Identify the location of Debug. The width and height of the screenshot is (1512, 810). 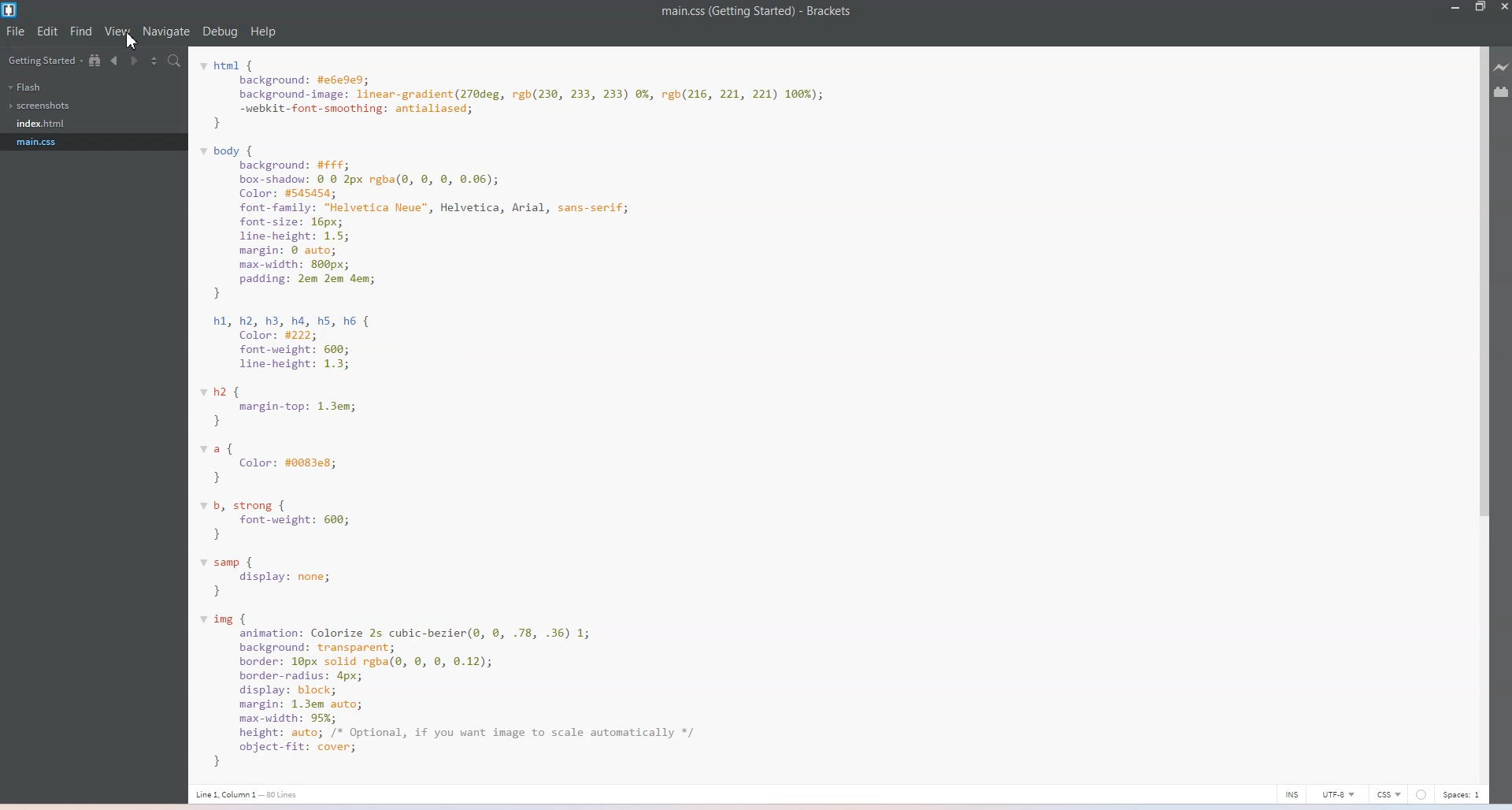
(220, 32).